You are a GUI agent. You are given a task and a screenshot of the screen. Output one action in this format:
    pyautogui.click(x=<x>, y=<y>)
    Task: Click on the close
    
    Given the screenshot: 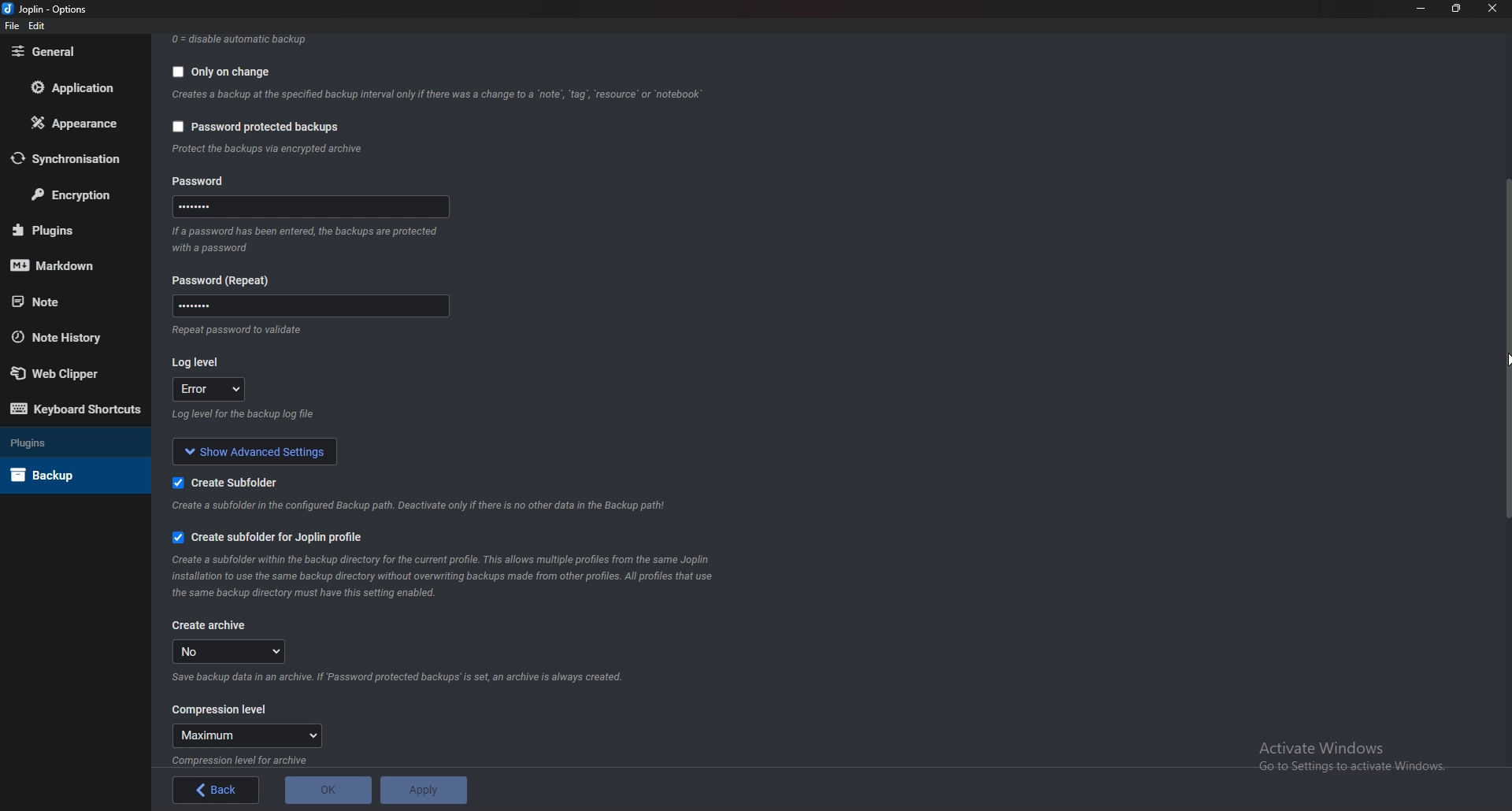 What is the action you would take?
    pyautogui.click(x=1491, y=9)
    